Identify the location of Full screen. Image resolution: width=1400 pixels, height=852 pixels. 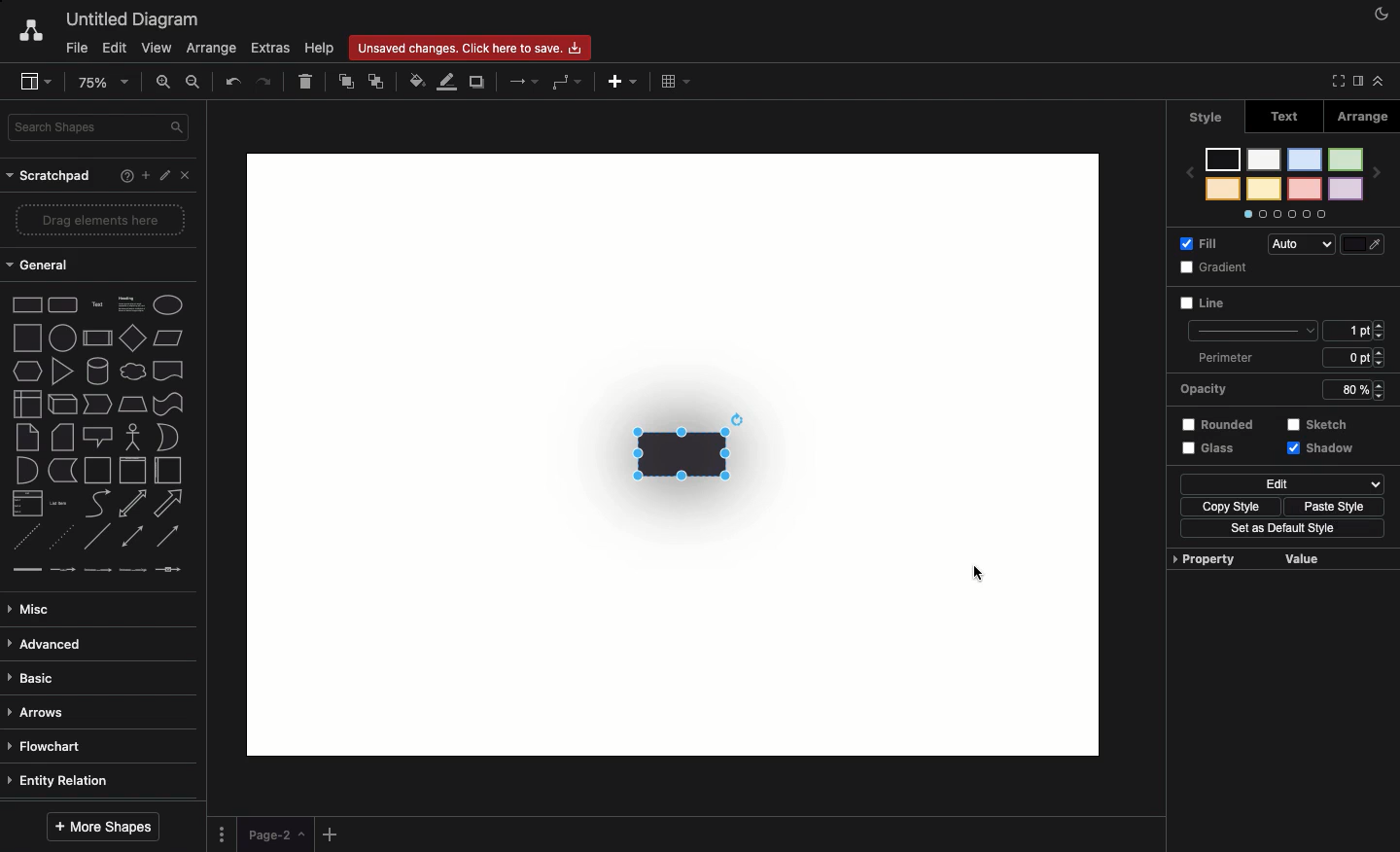
(1334, 81).